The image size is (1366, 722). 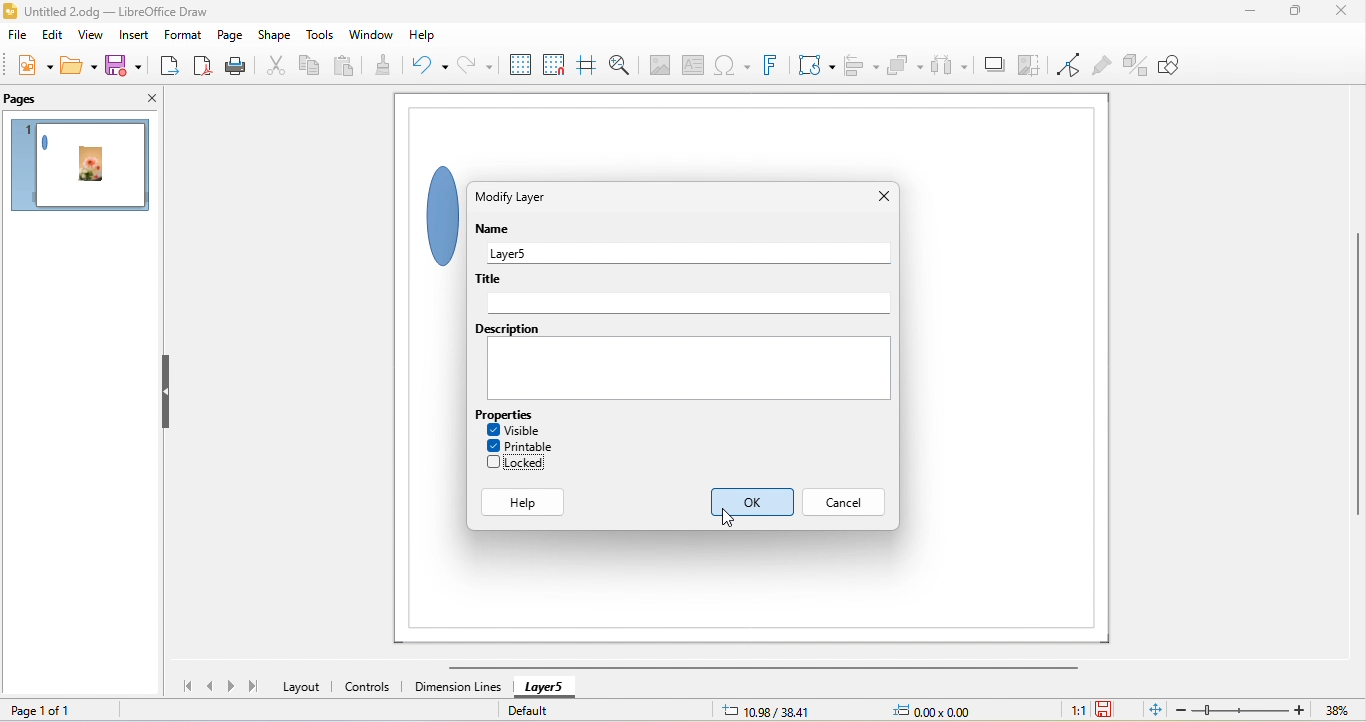 I want to click on 10.98/38.41, so click(x=767, y=710).